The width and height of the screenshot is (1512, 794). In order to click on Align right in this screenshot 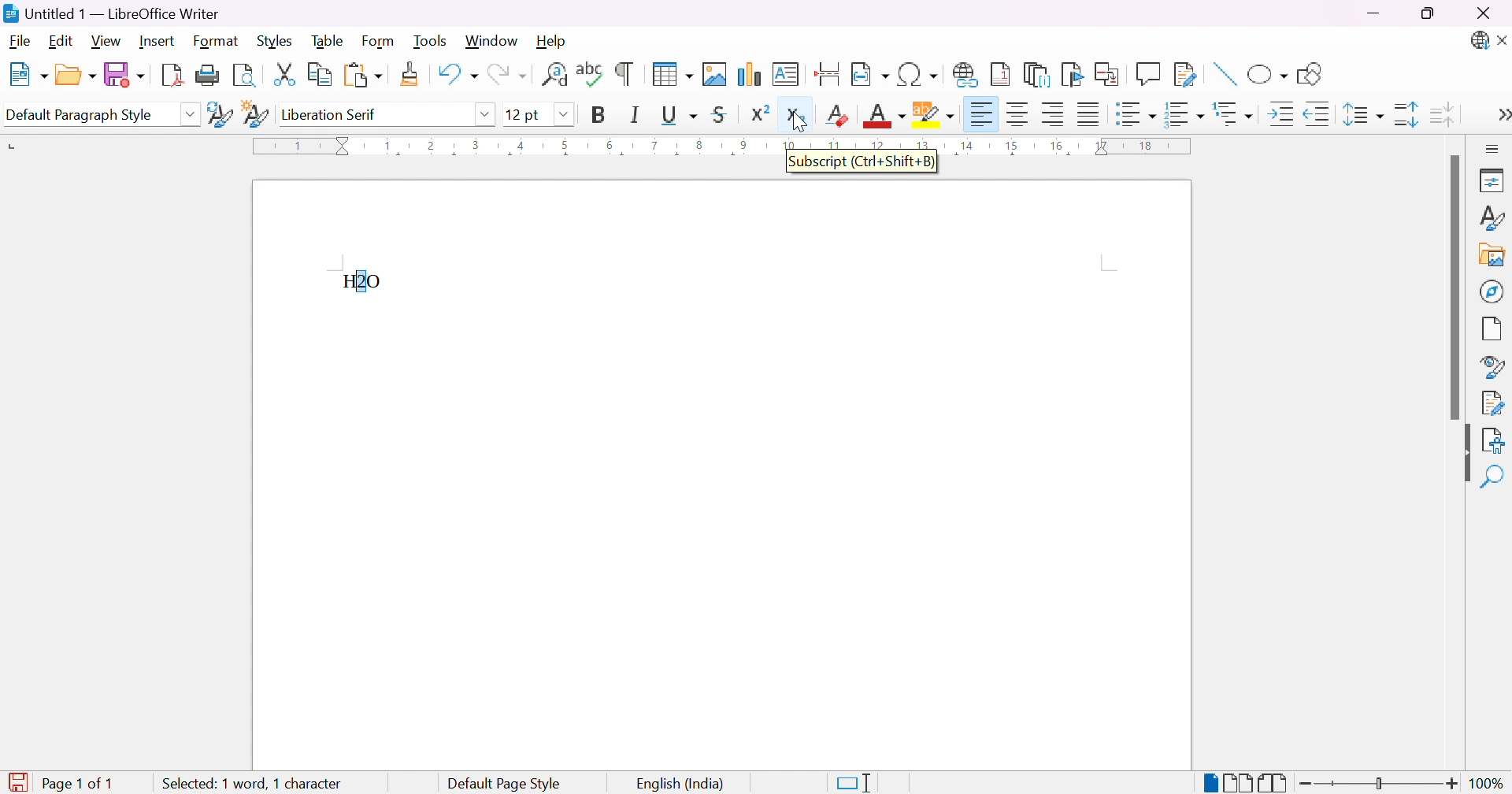, I will do `click(1054, 115)`.